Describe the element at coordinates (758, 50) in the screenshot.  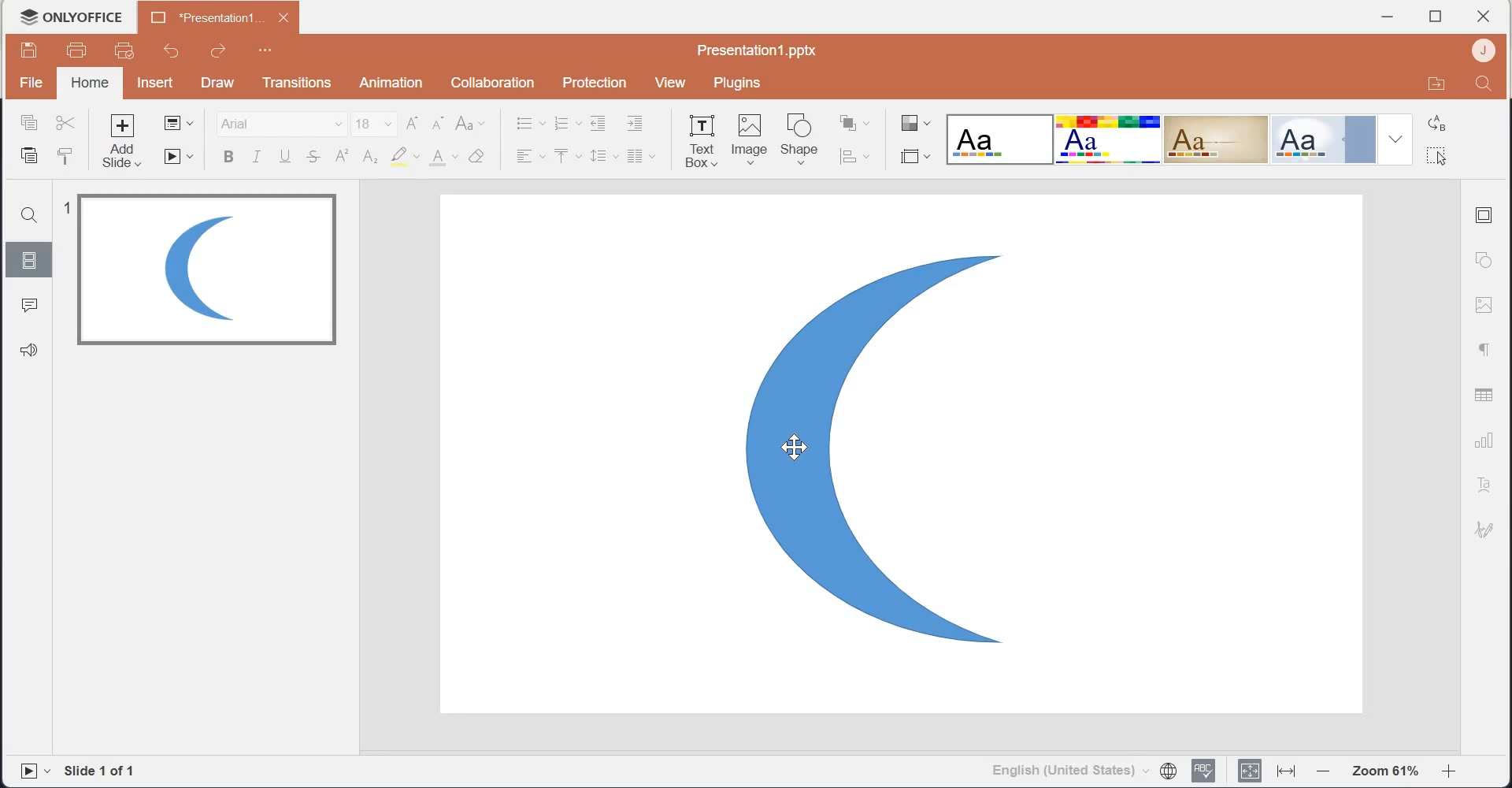
I see `Presentation1.pptx` at that location.